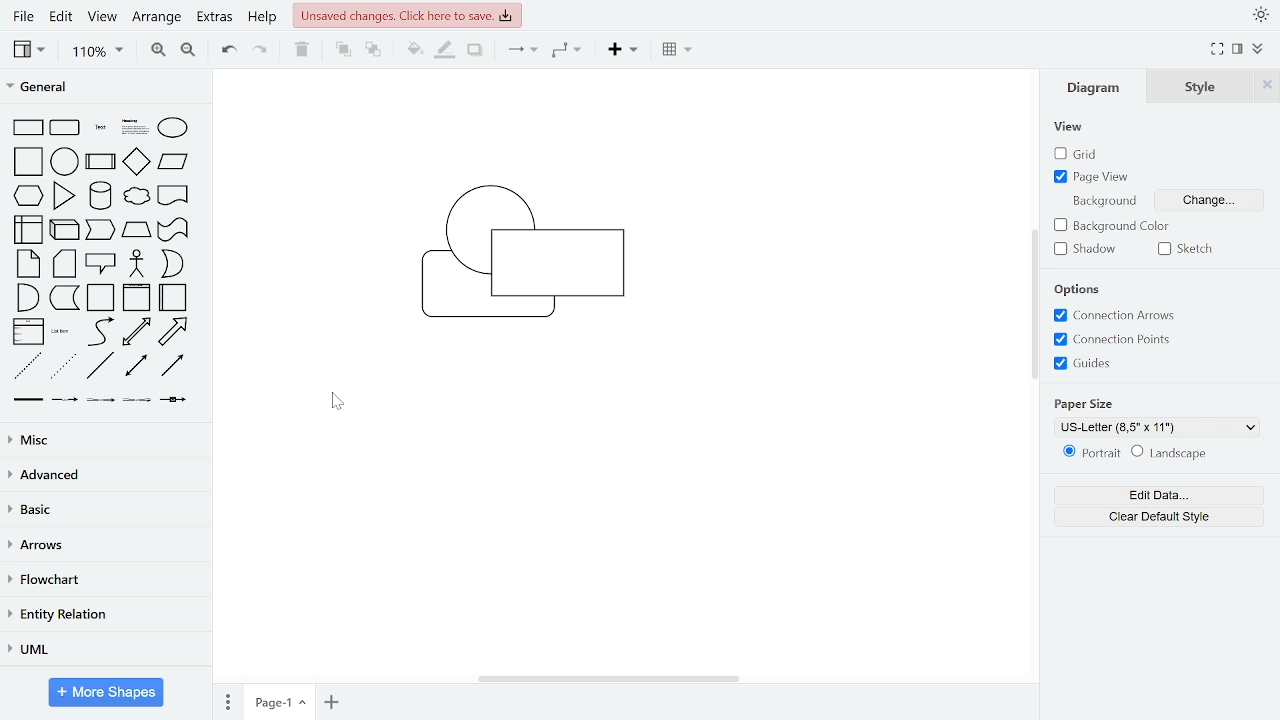  I want to click on table, so click(680, 52).